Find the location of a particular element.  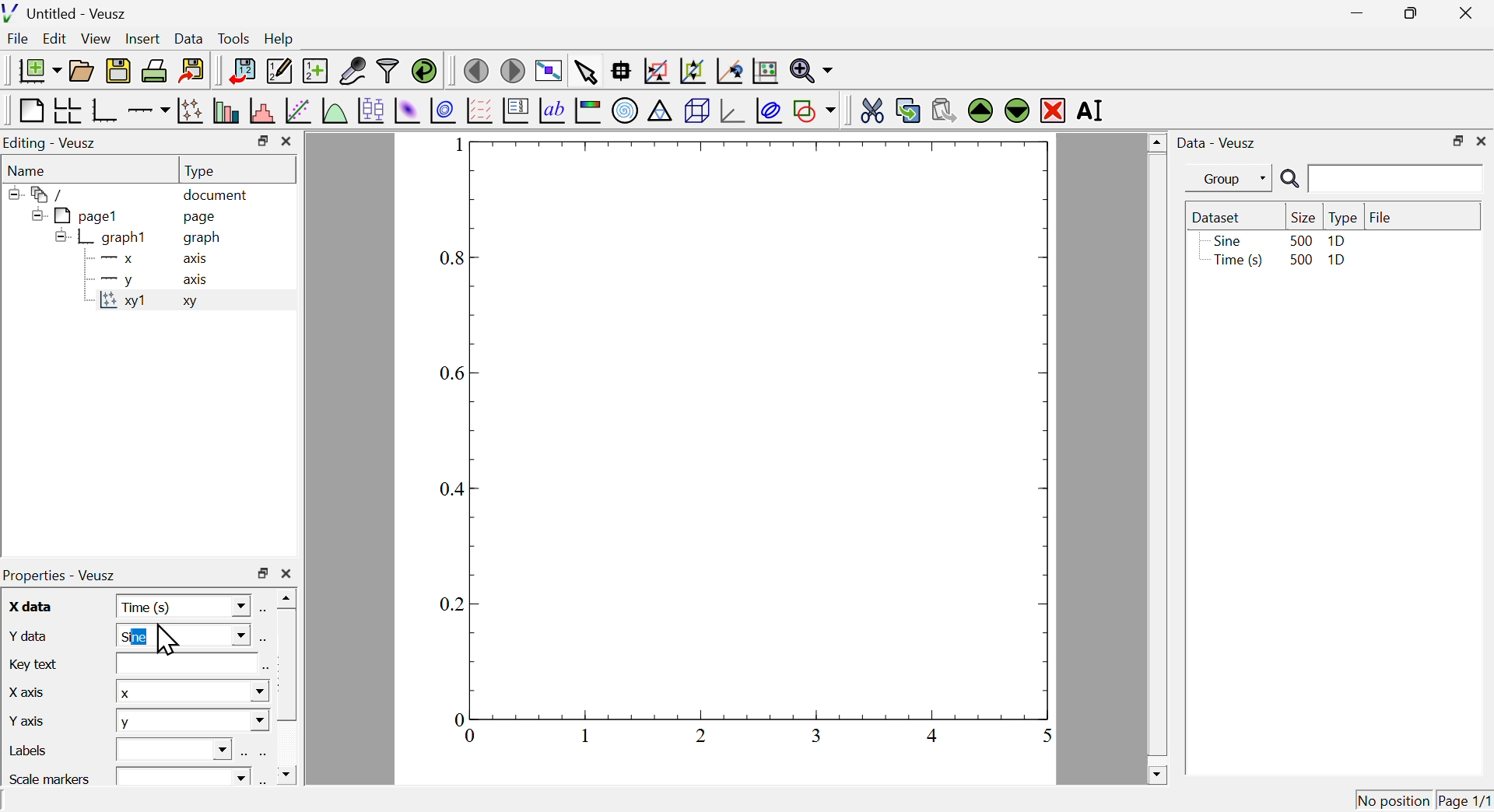

search is located at coordinates (1378, 180).